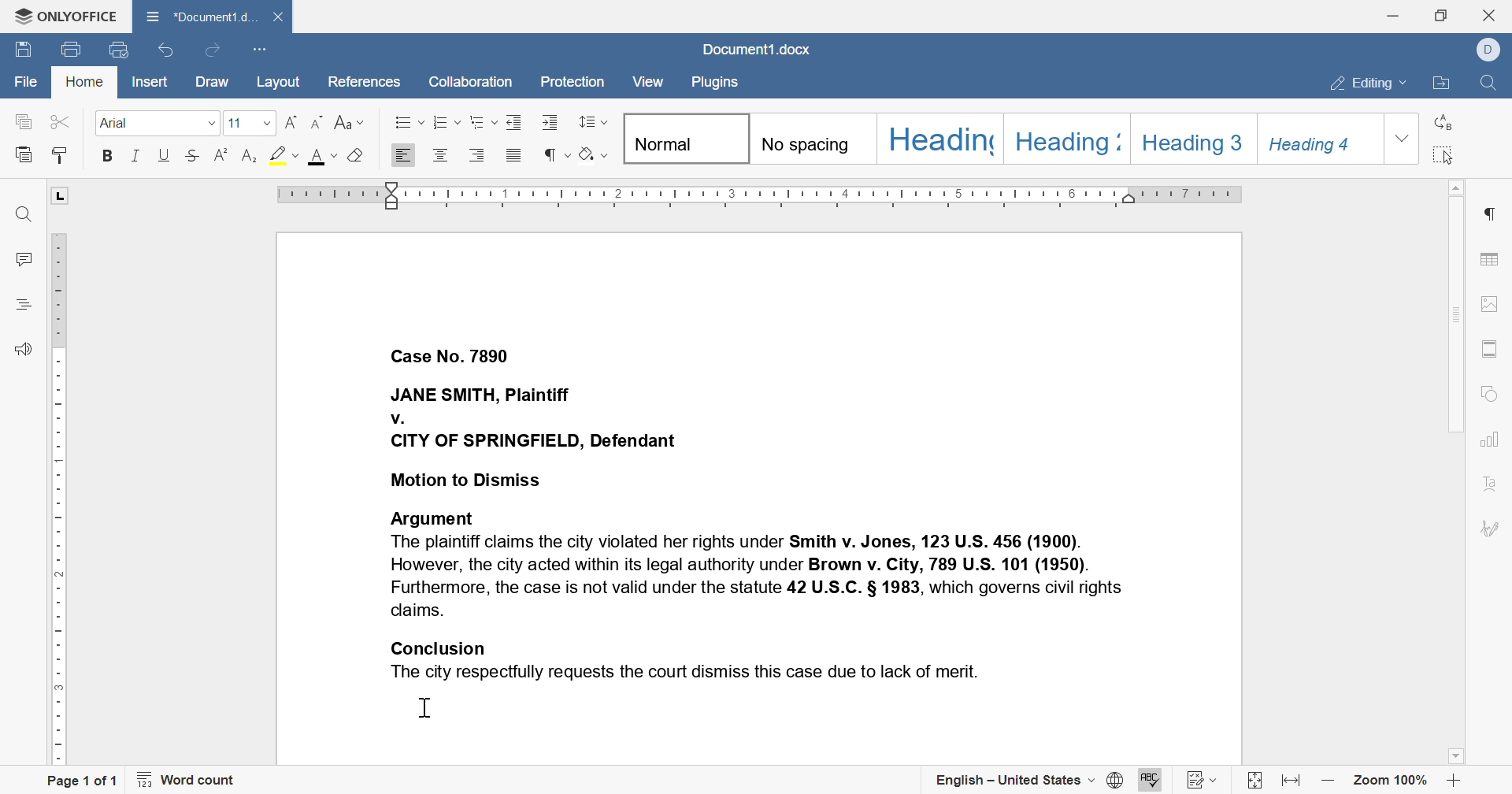 The height and width of the screenshot is (794, 1512). I want to click on Case No. 7890

JANE SMITH, Plaintiff

v.

CITY OF SPRINGFIELD, Defendant

Motion to Dismiss

Argument

The plaintiff claims the city violated her rights under Smith v. Jones, 123 U.S. 456 (1900).
However, the city acted within its legal authority under Brown v. City, 789 U.S. 101 (1950).
Furthermore, the case is not valid under the statute 42 U.S.C. § 1983, which governs civil rights
claims.

Conclusion

The city respectfully requests the court dismiss this case due to lack of merit., so click(758, 513).